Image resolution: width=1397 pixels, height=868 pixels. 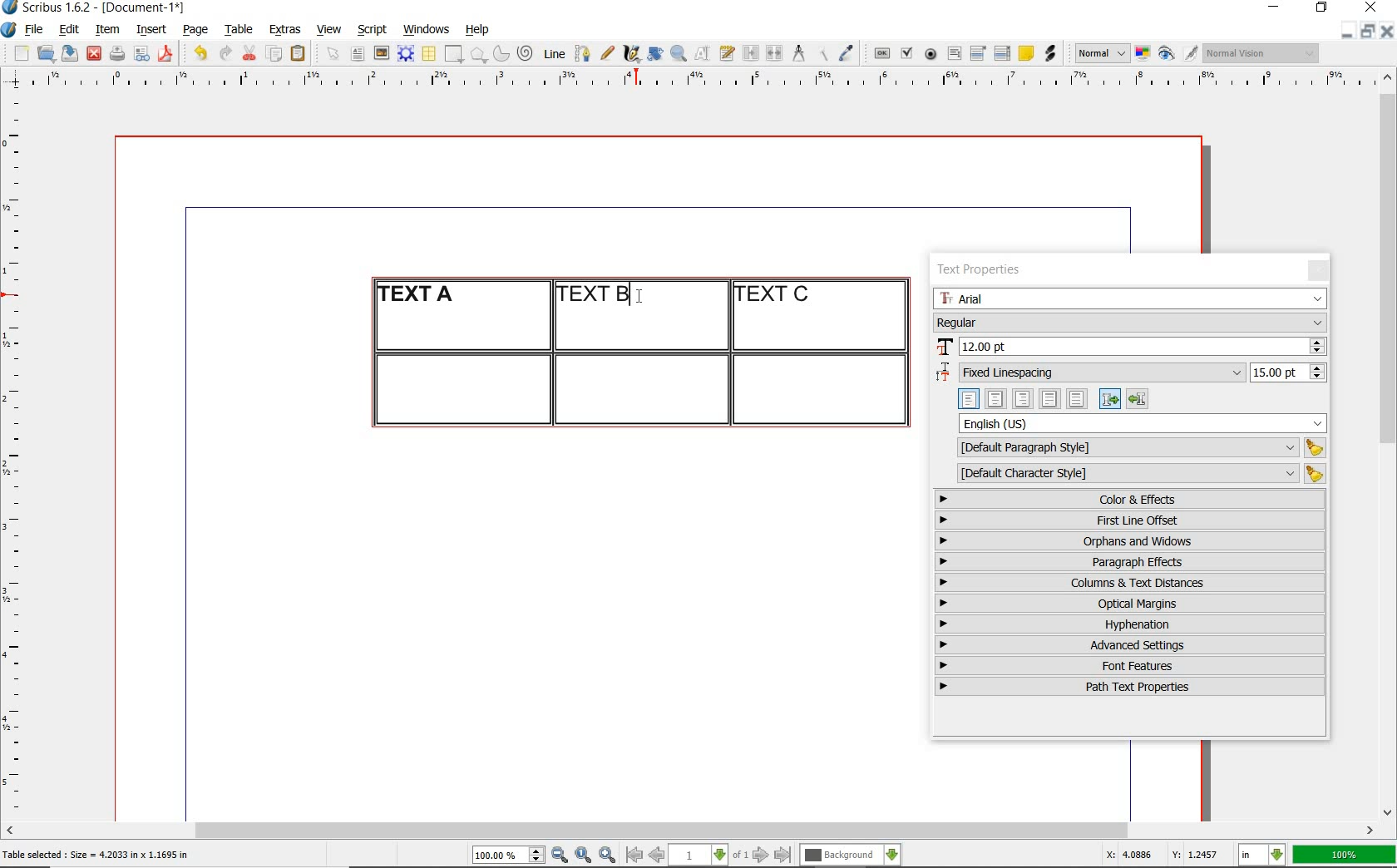 What do you see at coordinates (1348, 30) in the screenshot?
I see `minimize` at bounding box center [1348, 30].